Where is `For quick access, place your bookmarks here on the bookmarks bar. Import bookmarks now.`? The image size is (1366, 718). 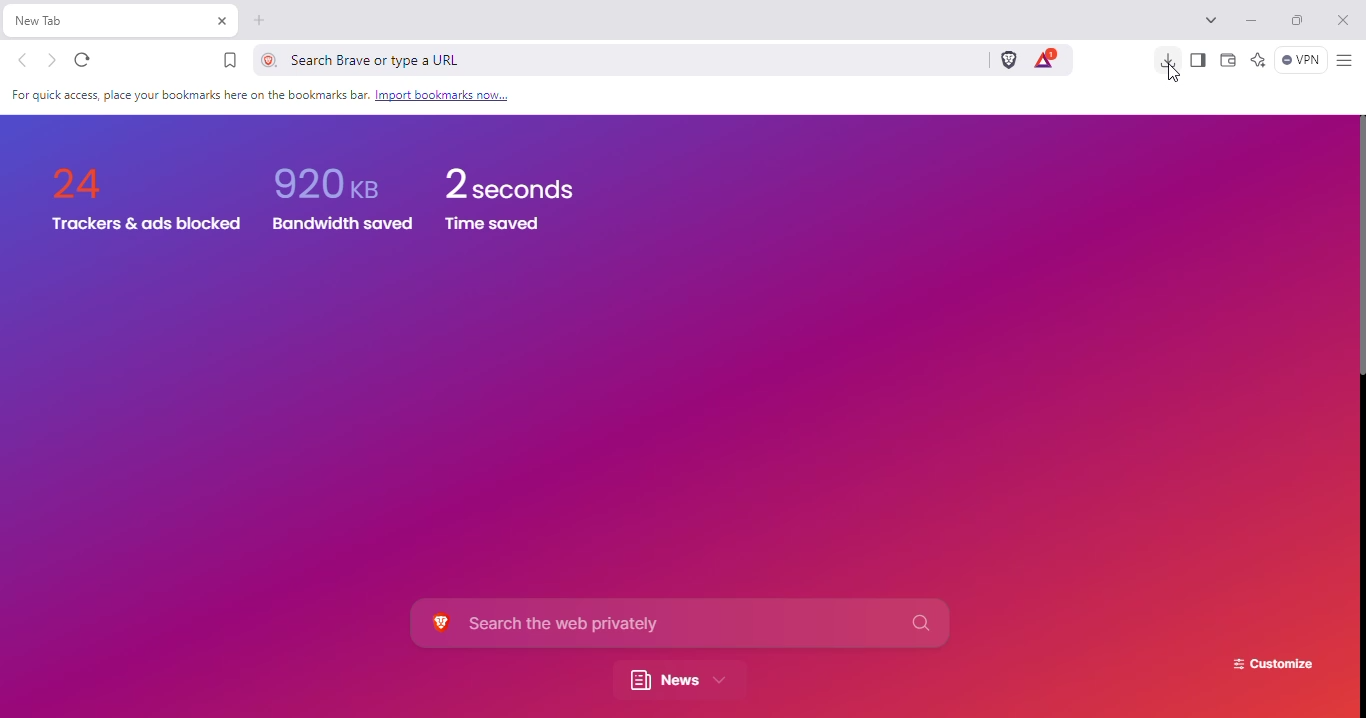 For quick access, place your bookmarks here on the bookmarks bar. Import bookmarks now. is located at coordinates (187, 96).